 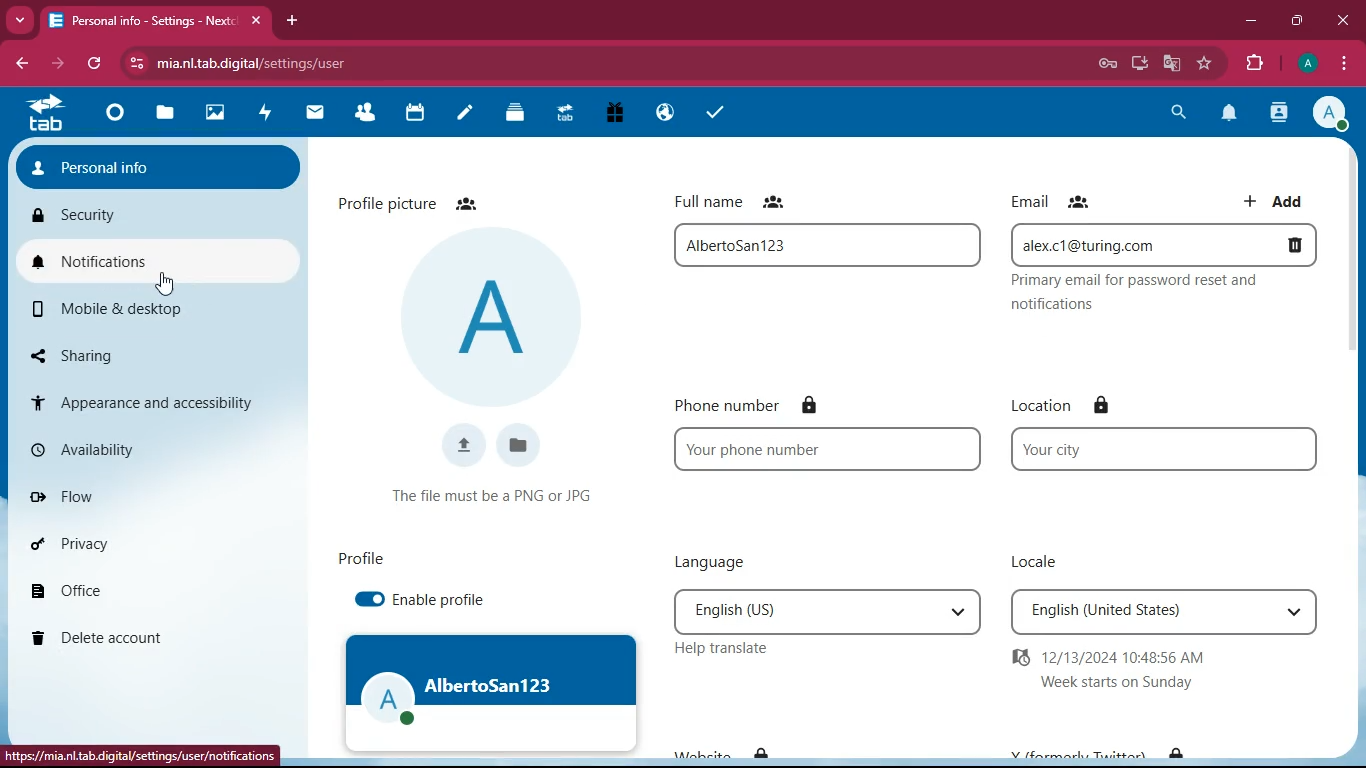 I want to click on profile, so click(x=1308, y=64).